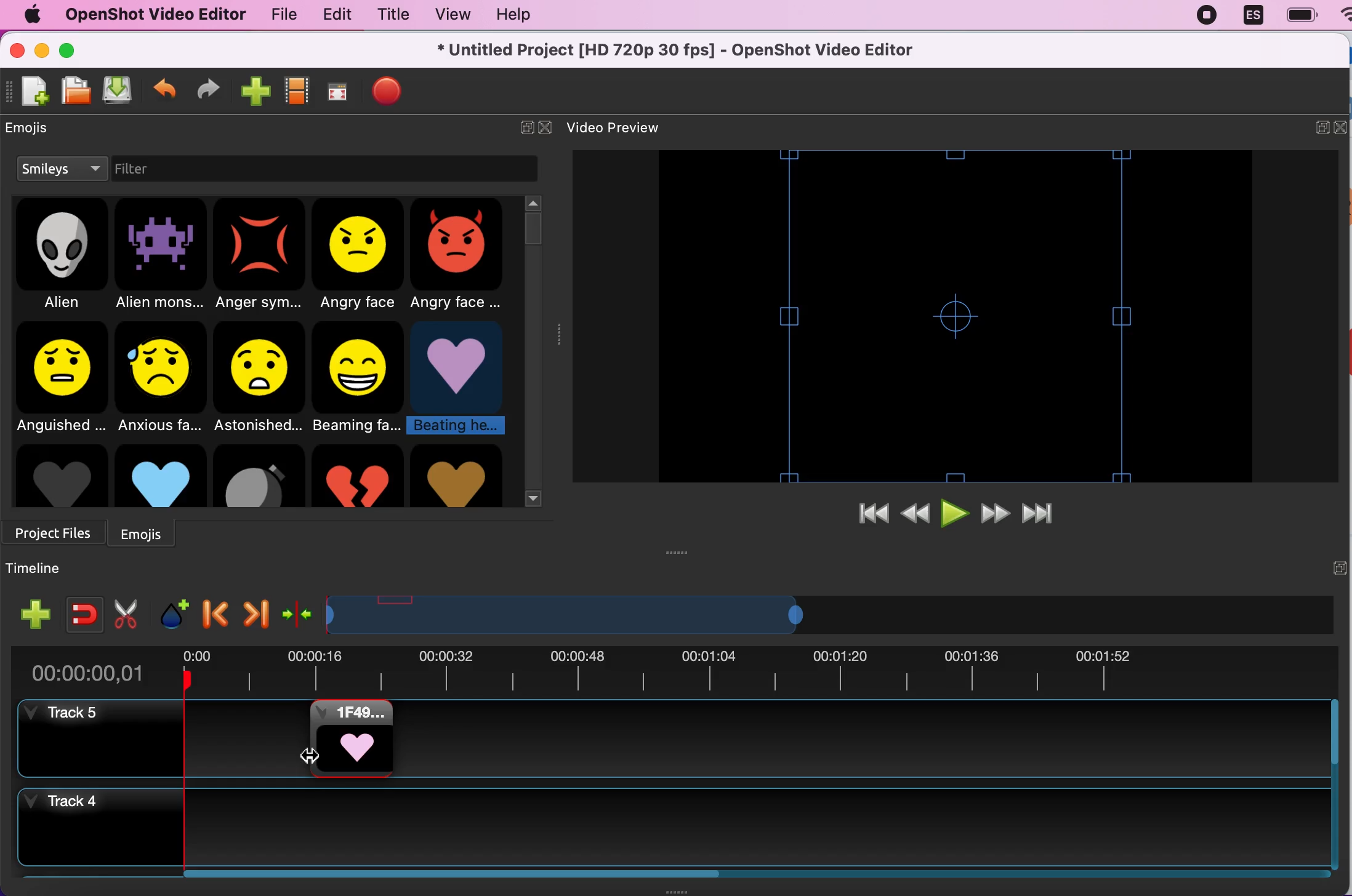  I want to click on recording stopped, so click(1202, 15).